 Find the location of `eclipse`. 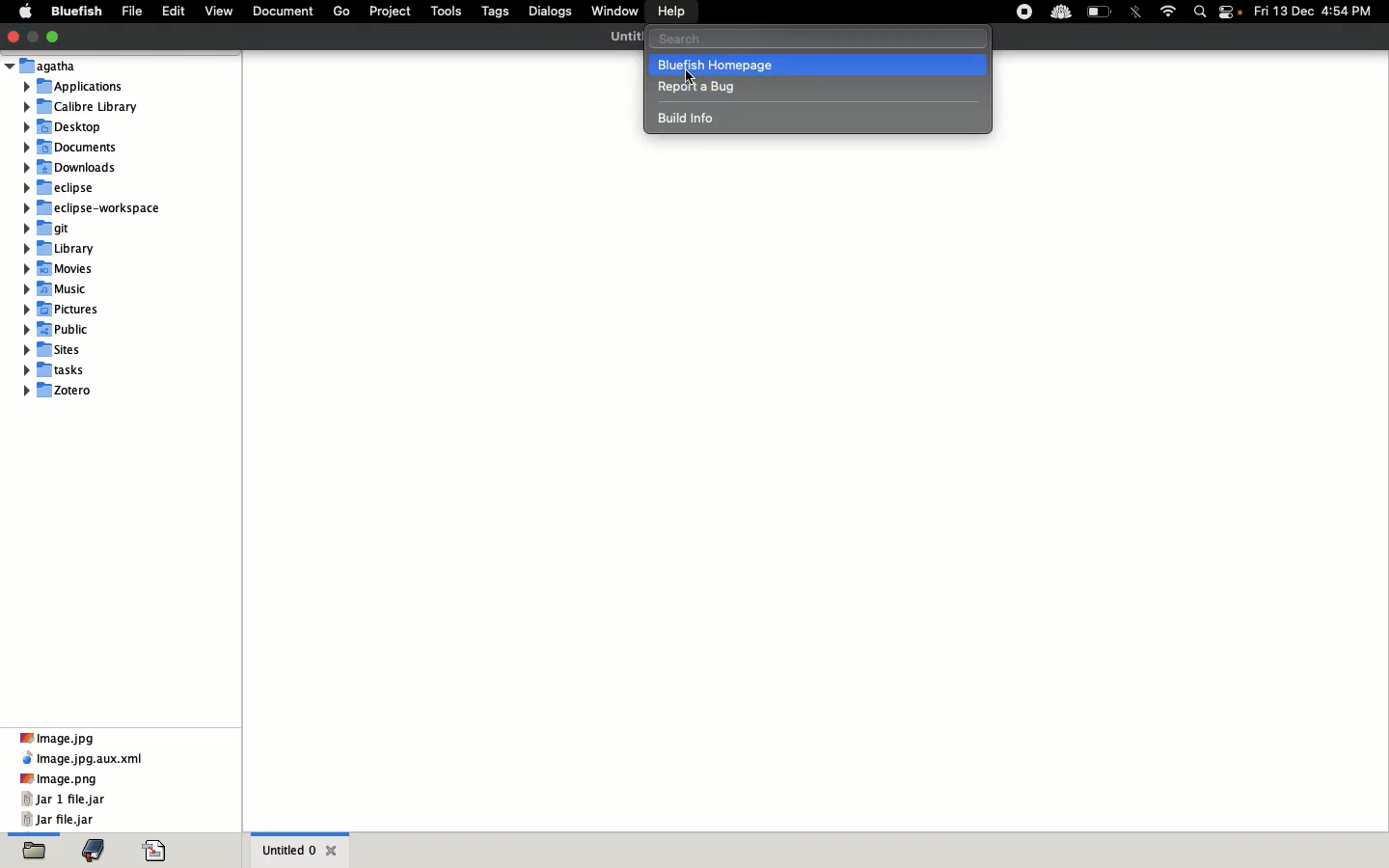

eclipse is located at coordinates (71, 187).